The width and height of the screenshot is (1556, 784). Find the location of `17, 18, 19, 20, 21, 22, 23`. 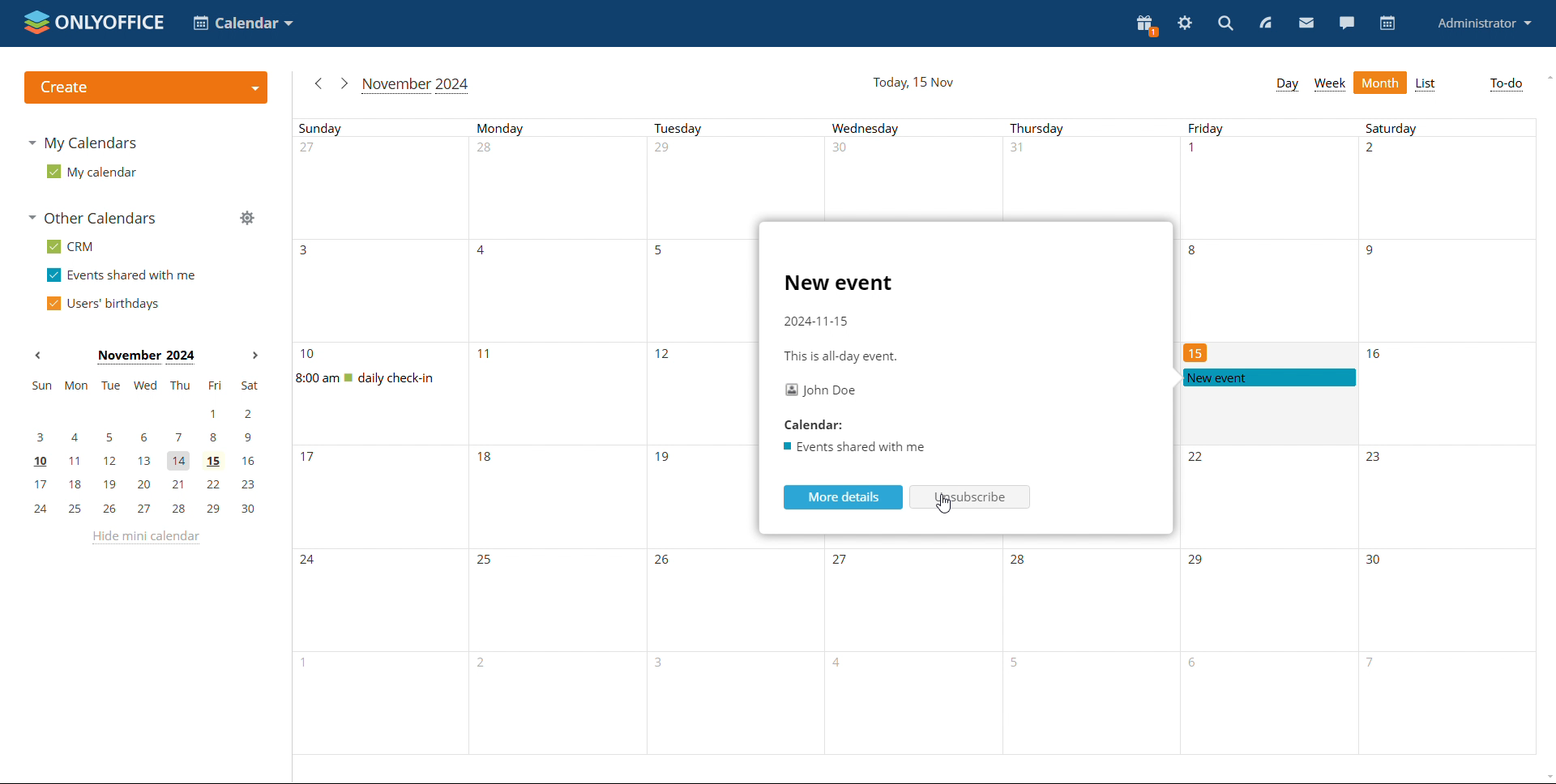

17, 18, 19, 20, 21, 22, 23 is located at coordinates (148, 483).